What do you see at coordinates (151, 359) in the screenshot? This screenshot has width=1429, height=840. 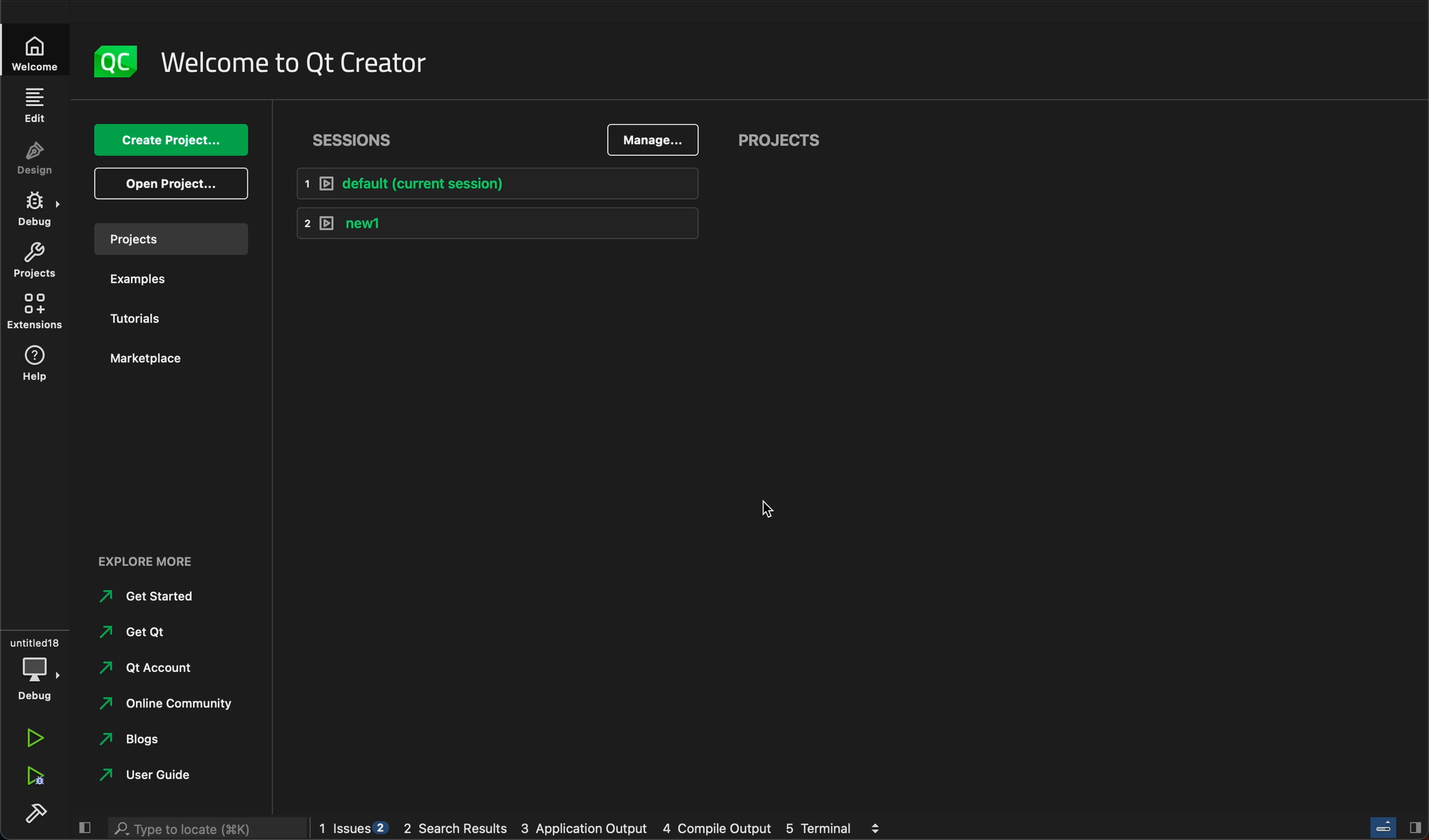 I see `marketplace` at bounding box center [151, 359].